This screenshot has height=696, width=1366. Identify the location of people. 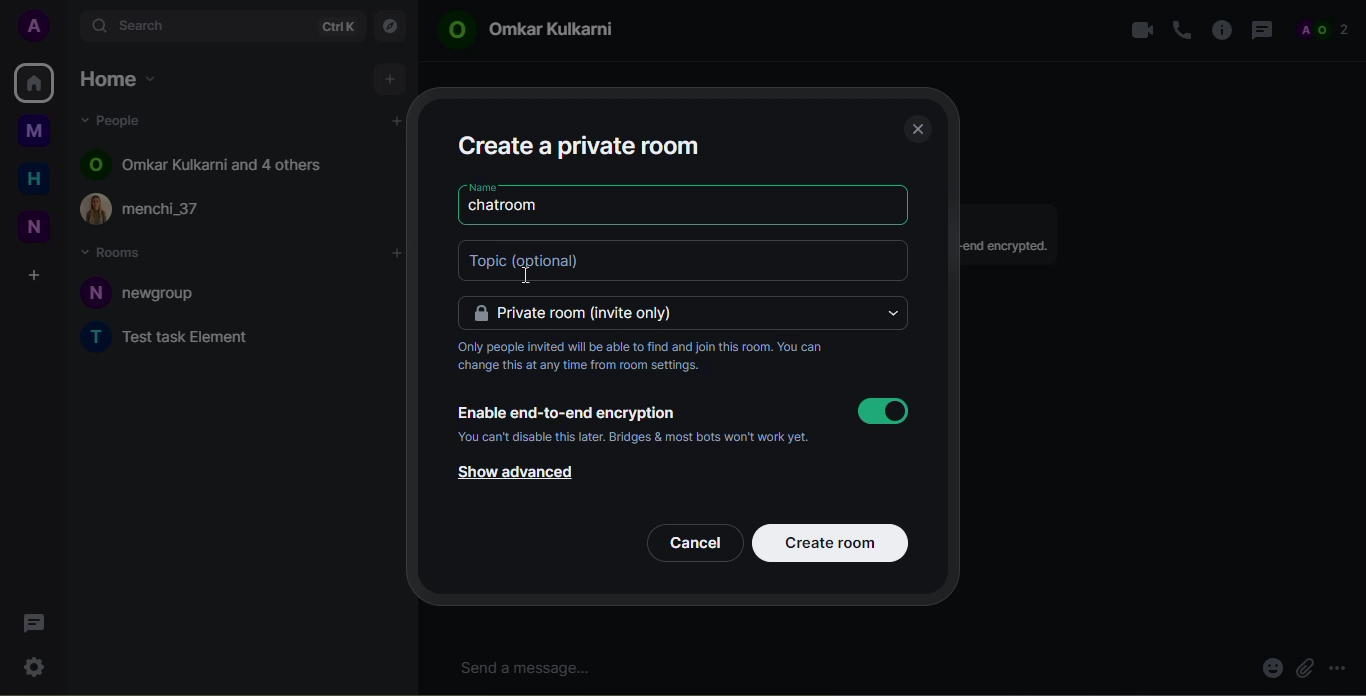
(120, 120).